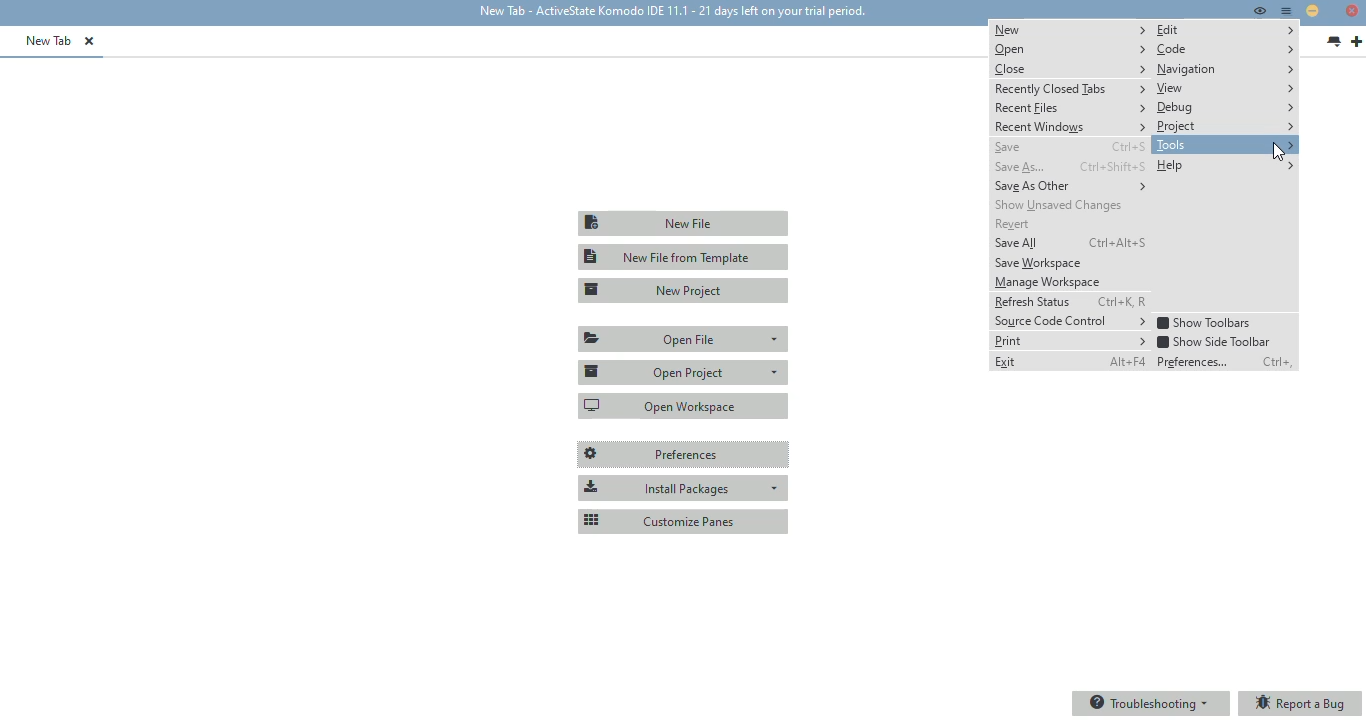 This screenshot has height=720, width=1366. What do you see at coordinates (1070, 68) in the screenshot?
I see `close` at bounding box center [1070, 68].